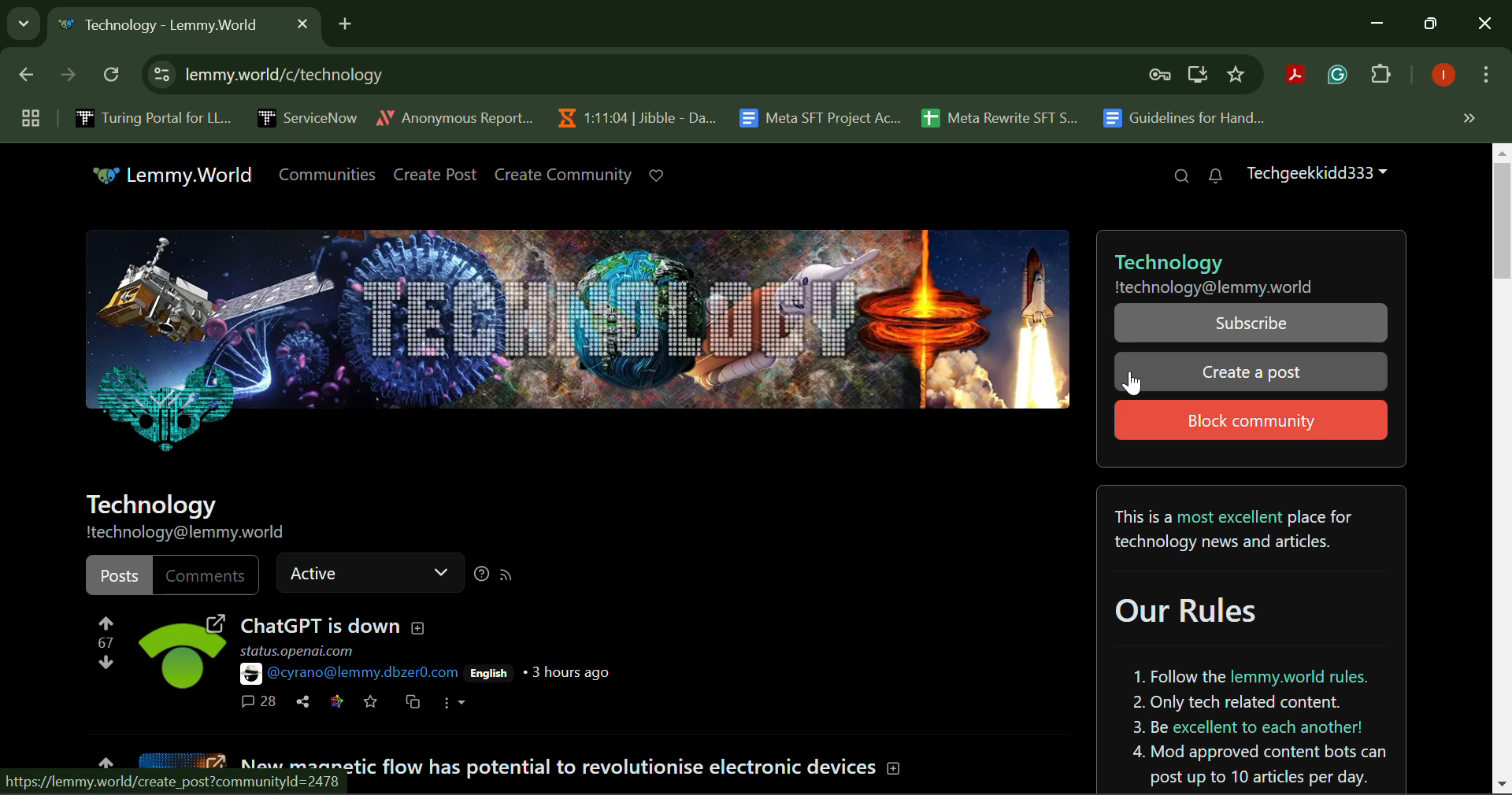 This screenshot has height=795, width=1512. I want to click on Guidelines for Handling, so click(1186, 118).